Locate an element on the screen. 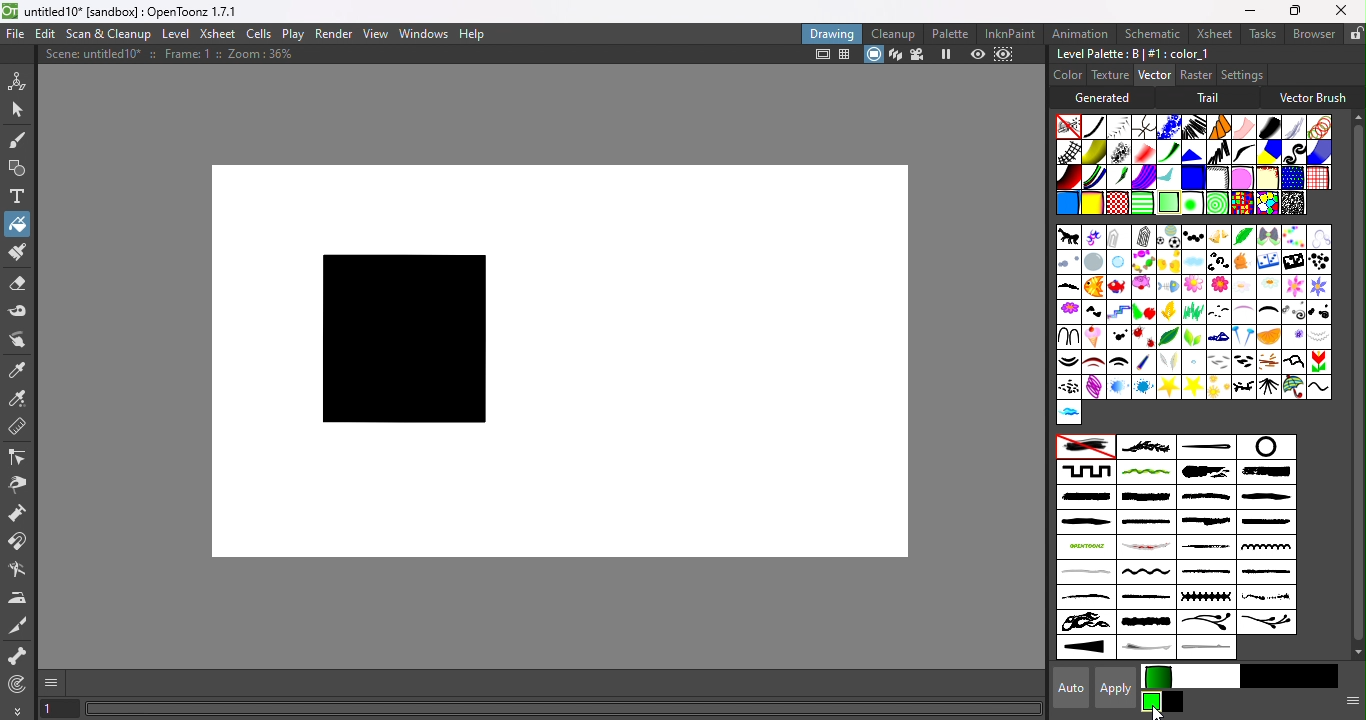 This screenshot has width=1366, height=720. Apply is located at coordinates (1118, 687).